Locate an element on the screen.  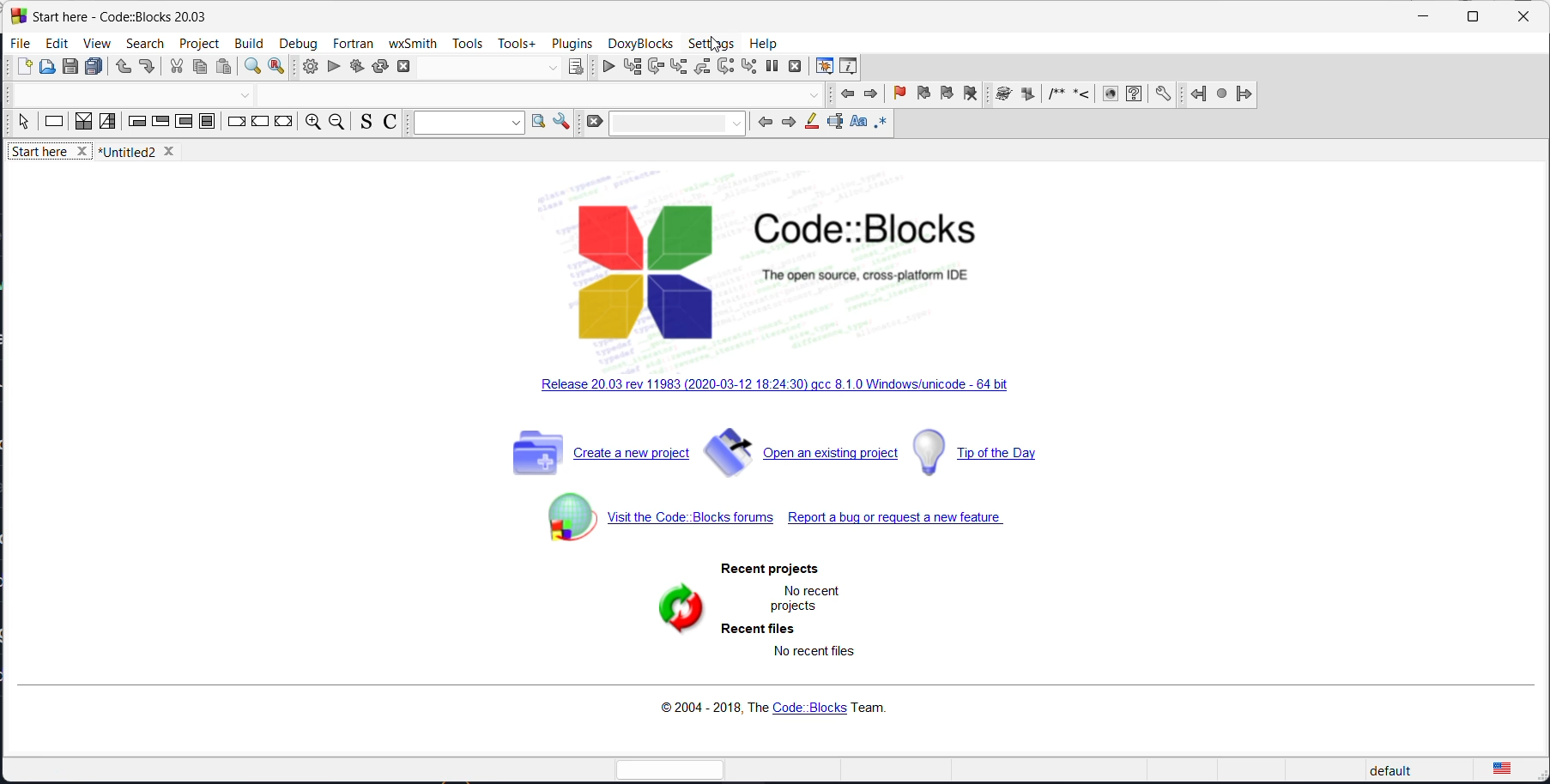
return instruction is located at coordinates (283, 123).